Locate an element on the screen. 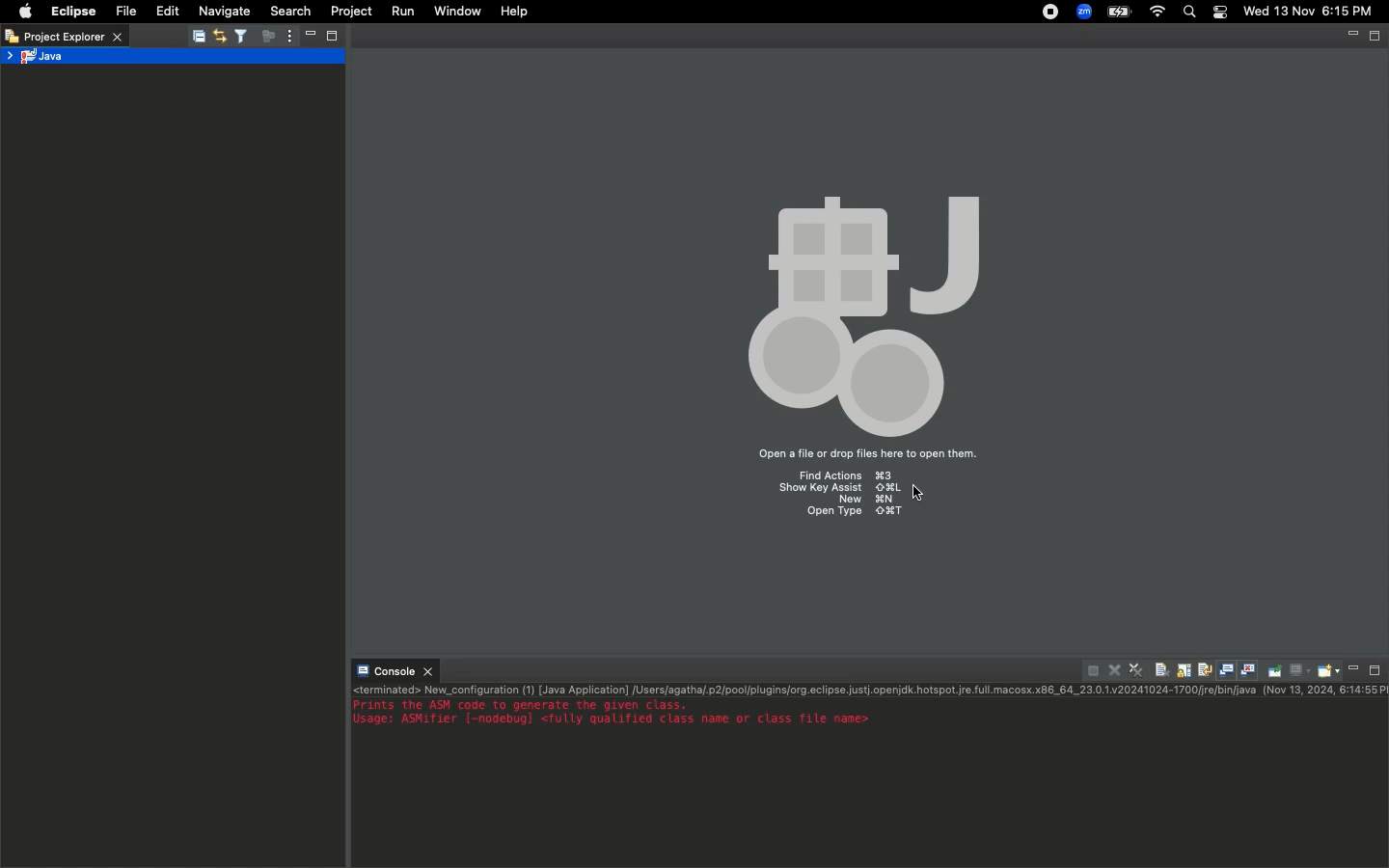 This screenshot has width=1389, height=868. Java project is located at coordinates (34, 58).